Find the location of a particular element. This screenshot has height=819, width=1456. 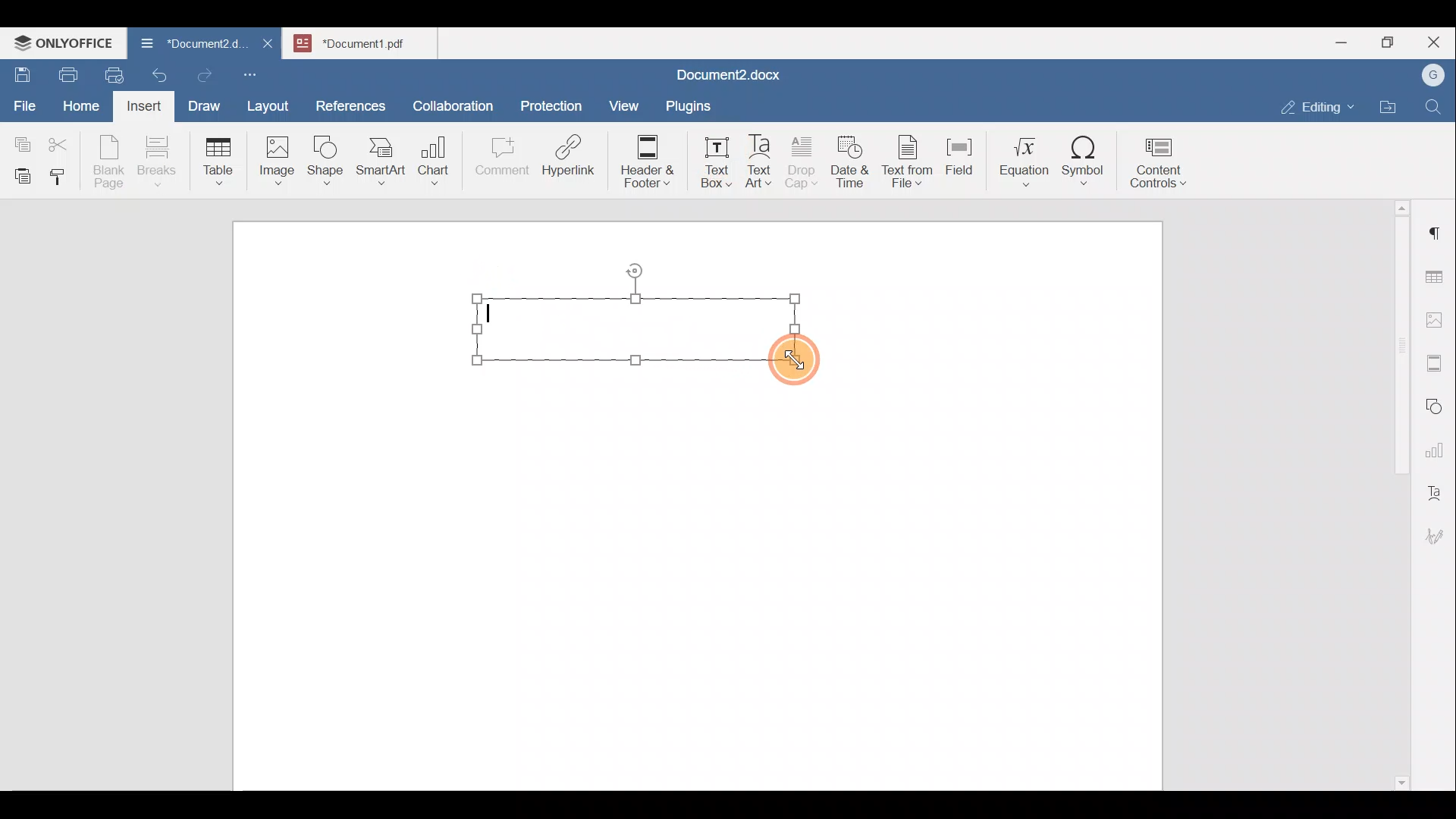

Symbol is located at coordinates (1084, 165).